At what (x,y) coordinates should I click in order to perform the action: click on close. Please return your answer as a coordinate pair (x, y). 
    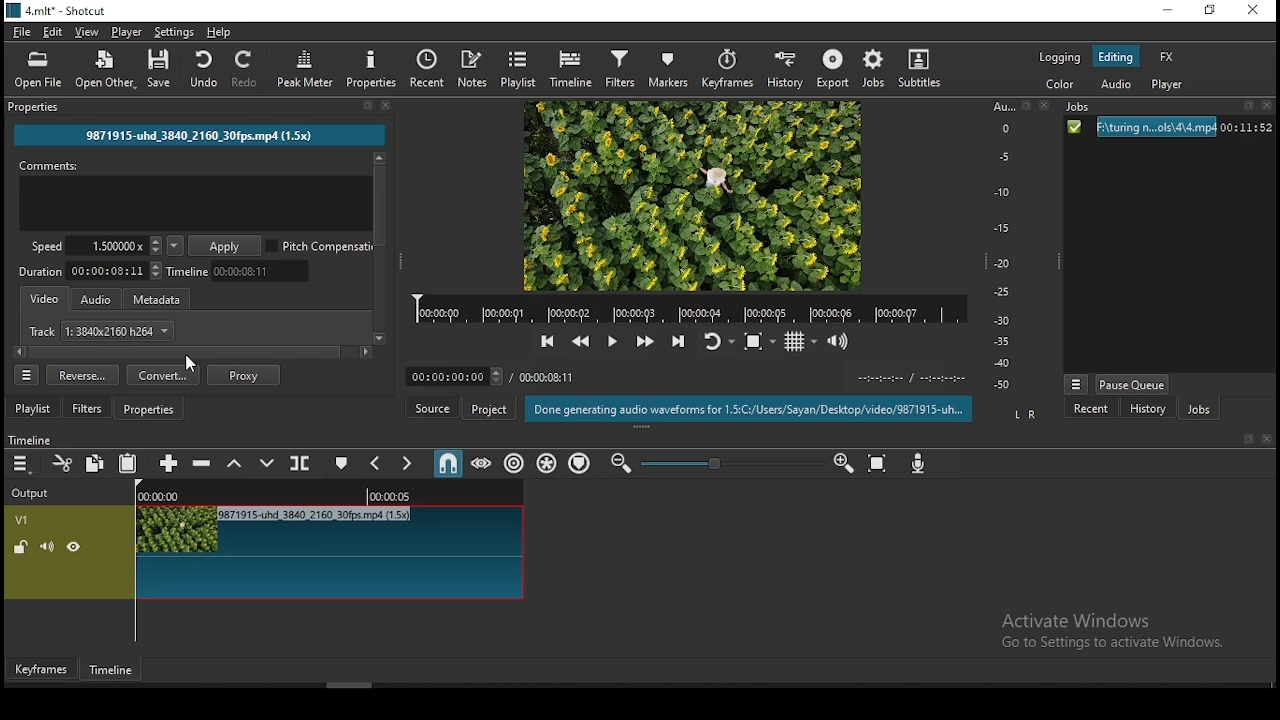
    Looking at the image, I should click on (1268, 439).